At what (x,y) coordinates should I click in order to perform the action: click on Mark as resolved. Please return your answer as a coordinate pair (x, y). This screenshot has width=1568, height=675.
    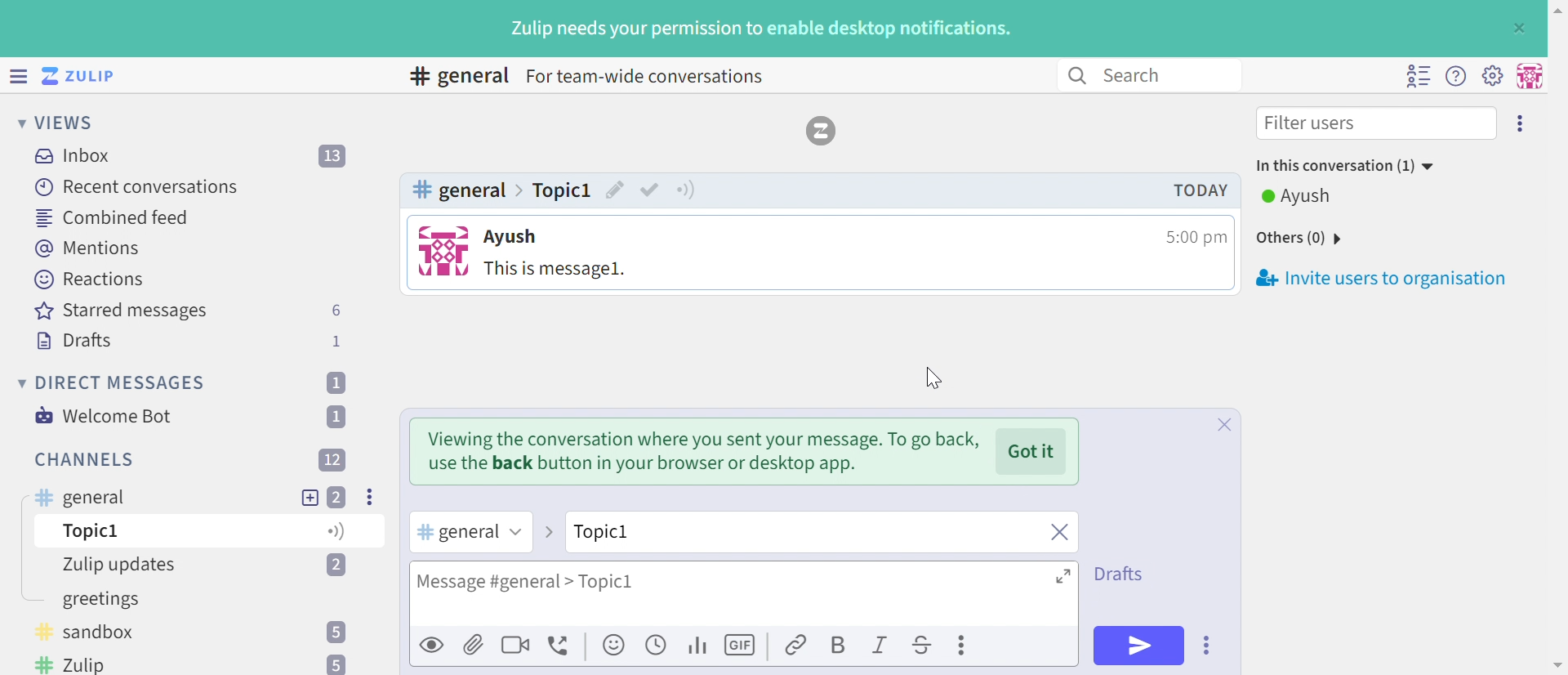
    Looking at the image, I should click on (650, 189).